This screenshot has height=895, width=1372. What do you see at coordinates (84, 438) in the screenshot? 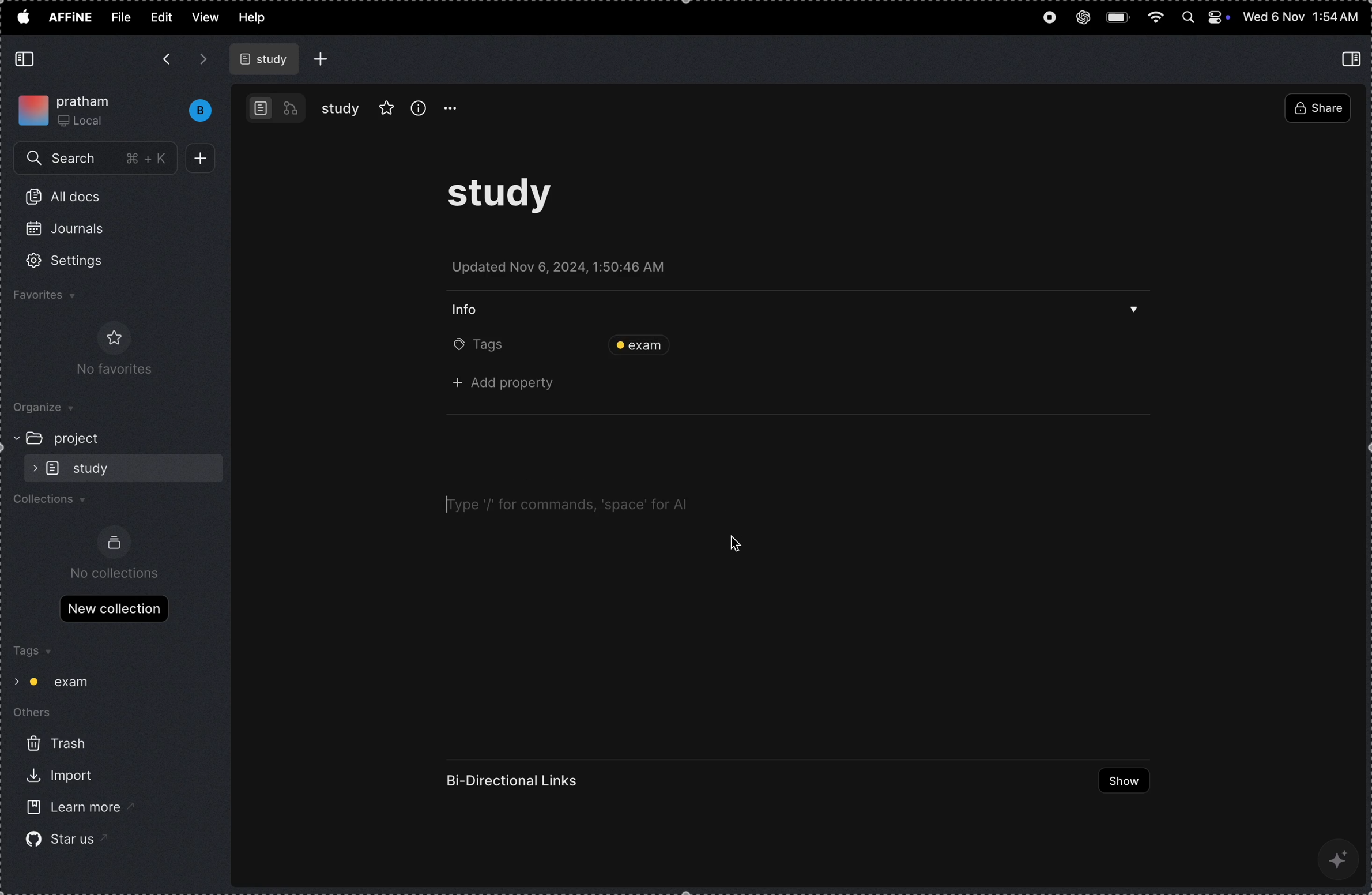
I see `project` at bounding box center [84, 438].